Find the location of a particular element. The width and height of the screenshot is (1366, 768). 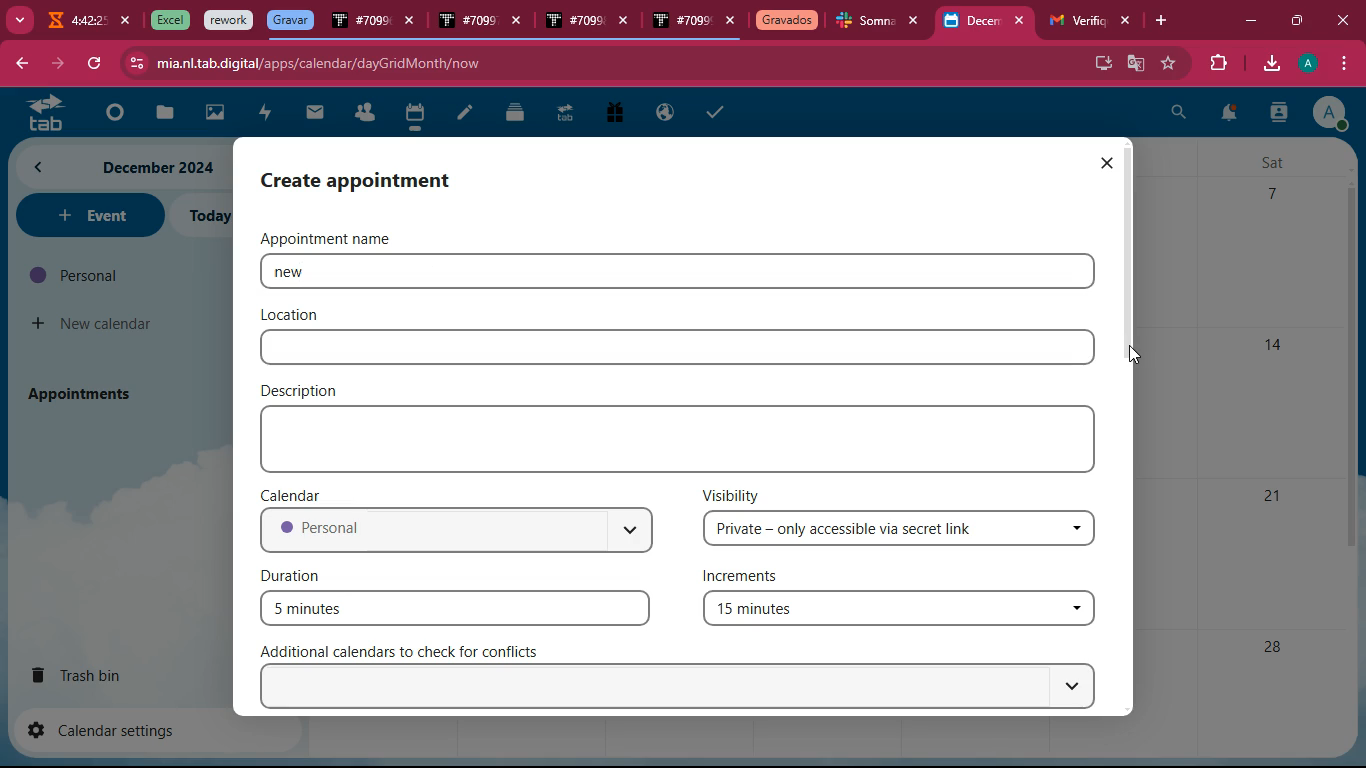

gift is located at coordinates (613, 114).